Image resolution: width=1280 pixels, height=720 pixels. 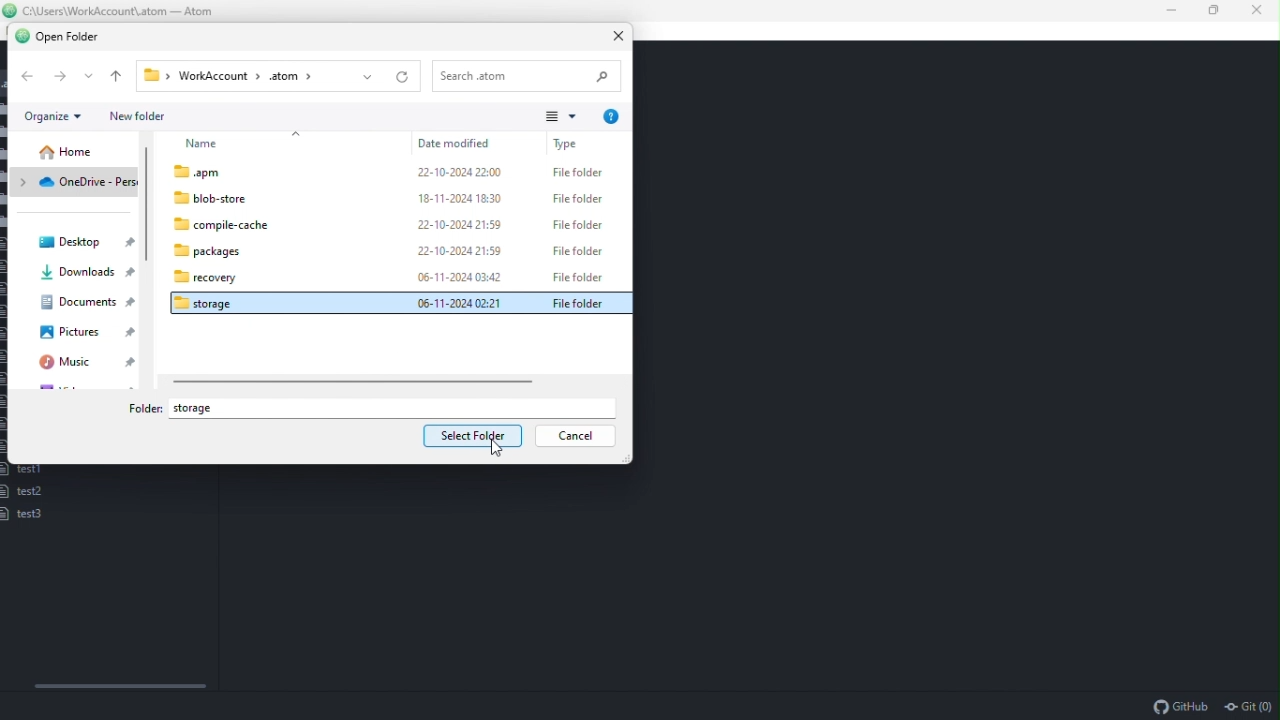 What do you see at coordinates (89, 365) in the screenshot?
I see `Music` at bounding box center [89, 365].